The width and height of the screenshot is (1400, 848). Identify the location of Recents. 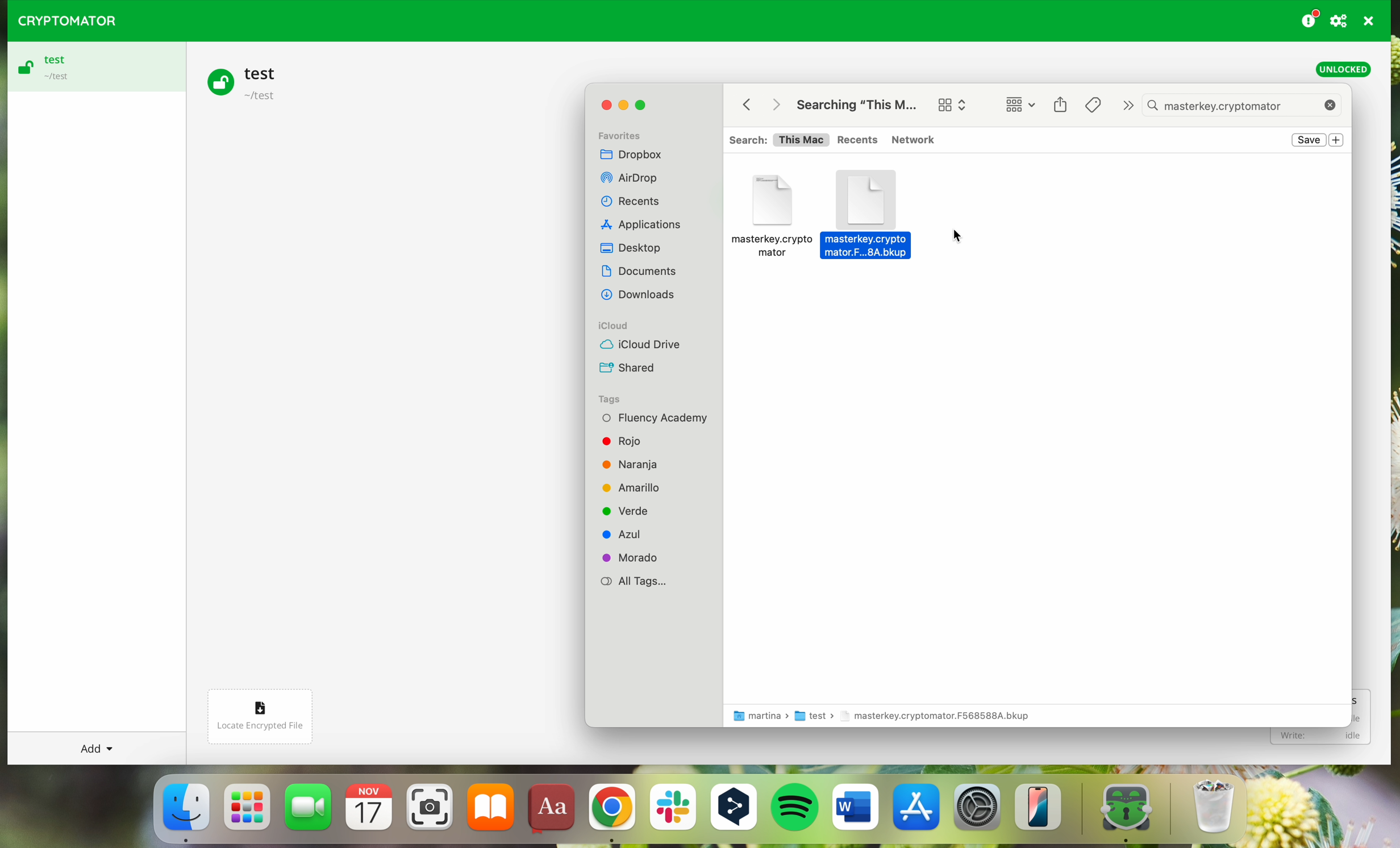
(635, 201).